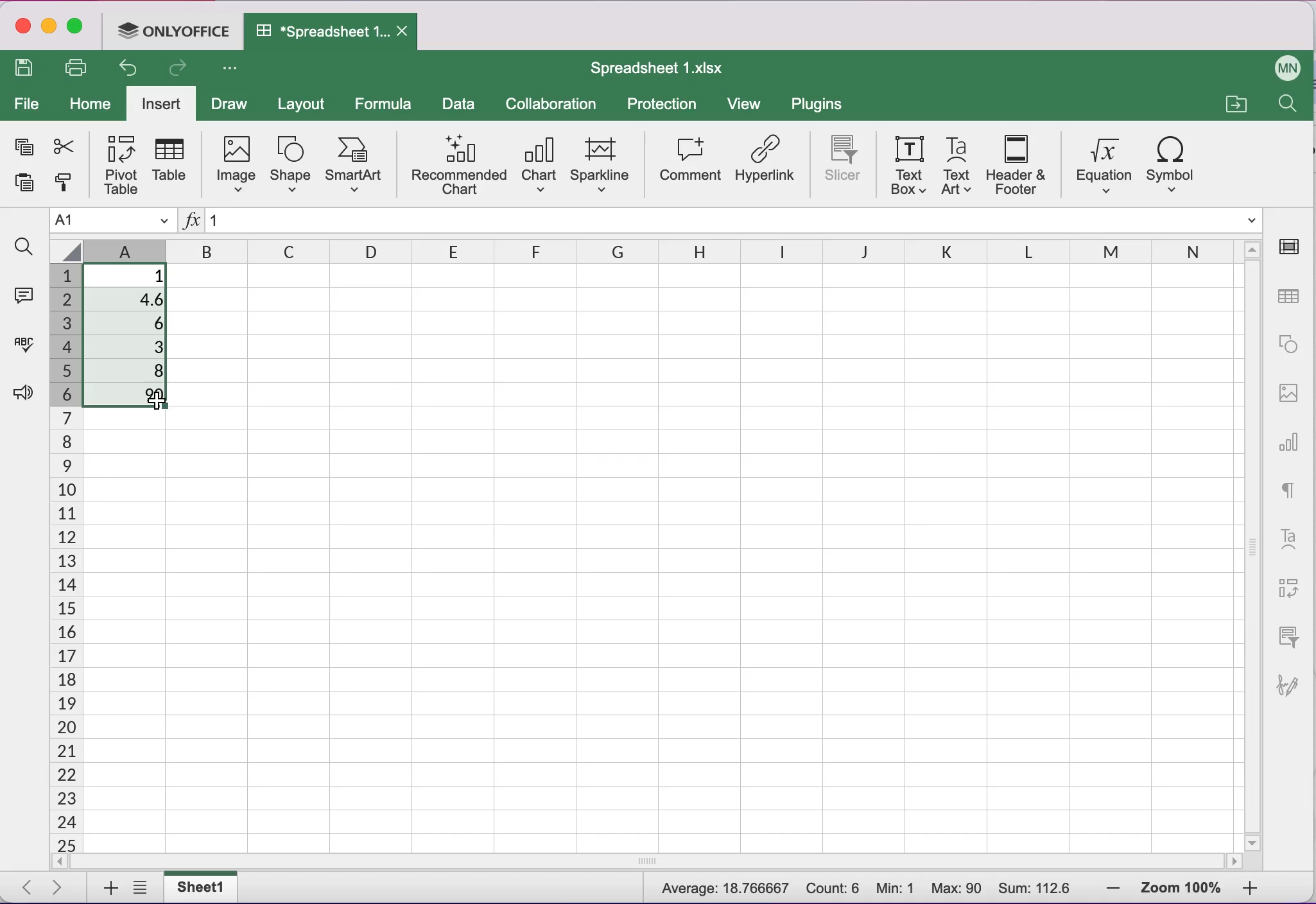  I want to click on signature, so click(1290, 688).